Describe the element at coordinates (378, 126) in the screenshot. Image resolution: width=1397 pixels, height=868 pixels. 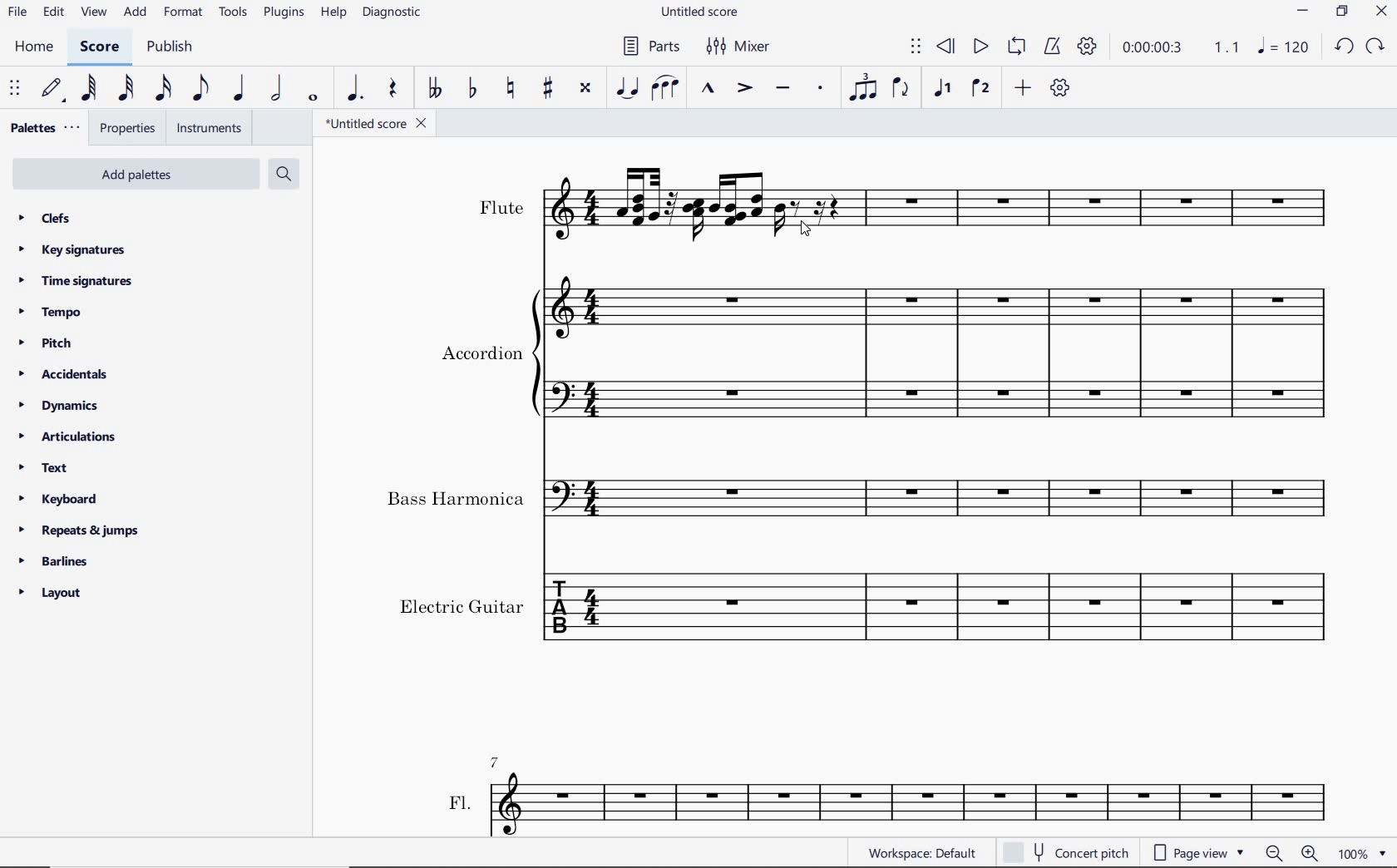
I see `file name` at that location.